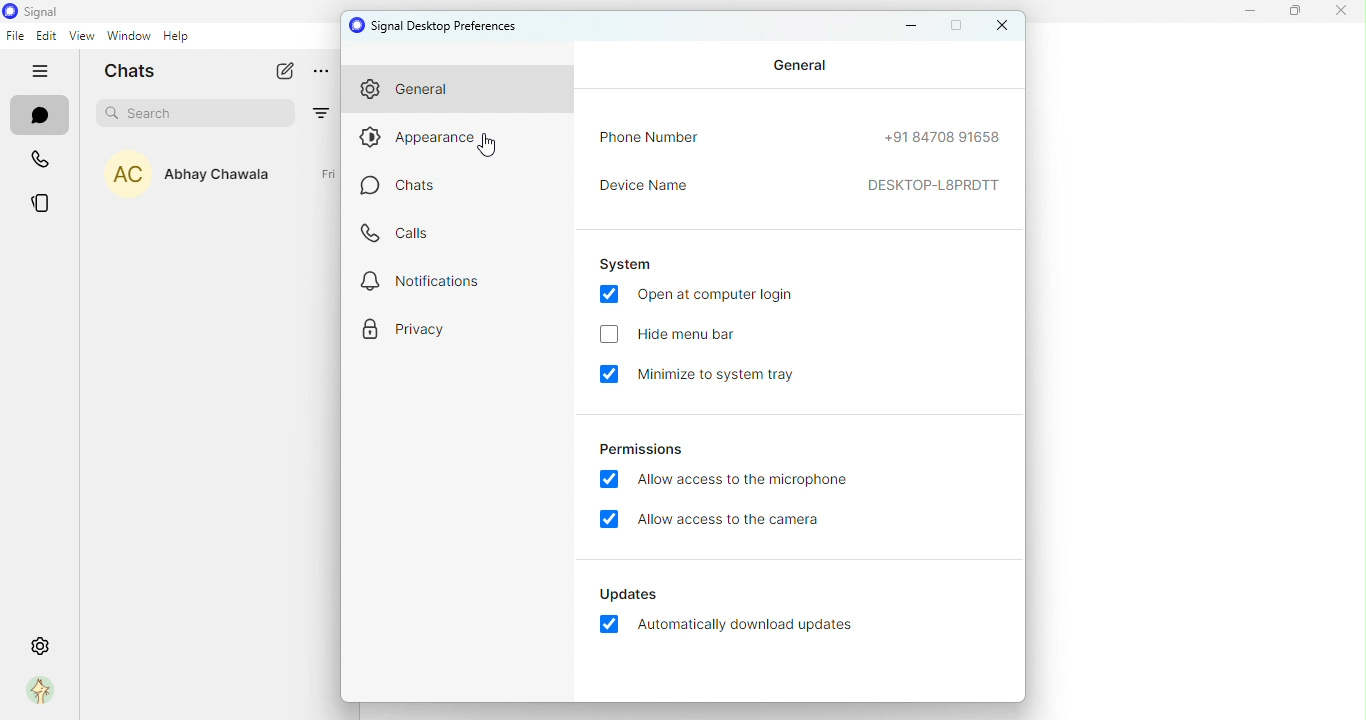  I want to click on open at computer login, so click(703, 296).